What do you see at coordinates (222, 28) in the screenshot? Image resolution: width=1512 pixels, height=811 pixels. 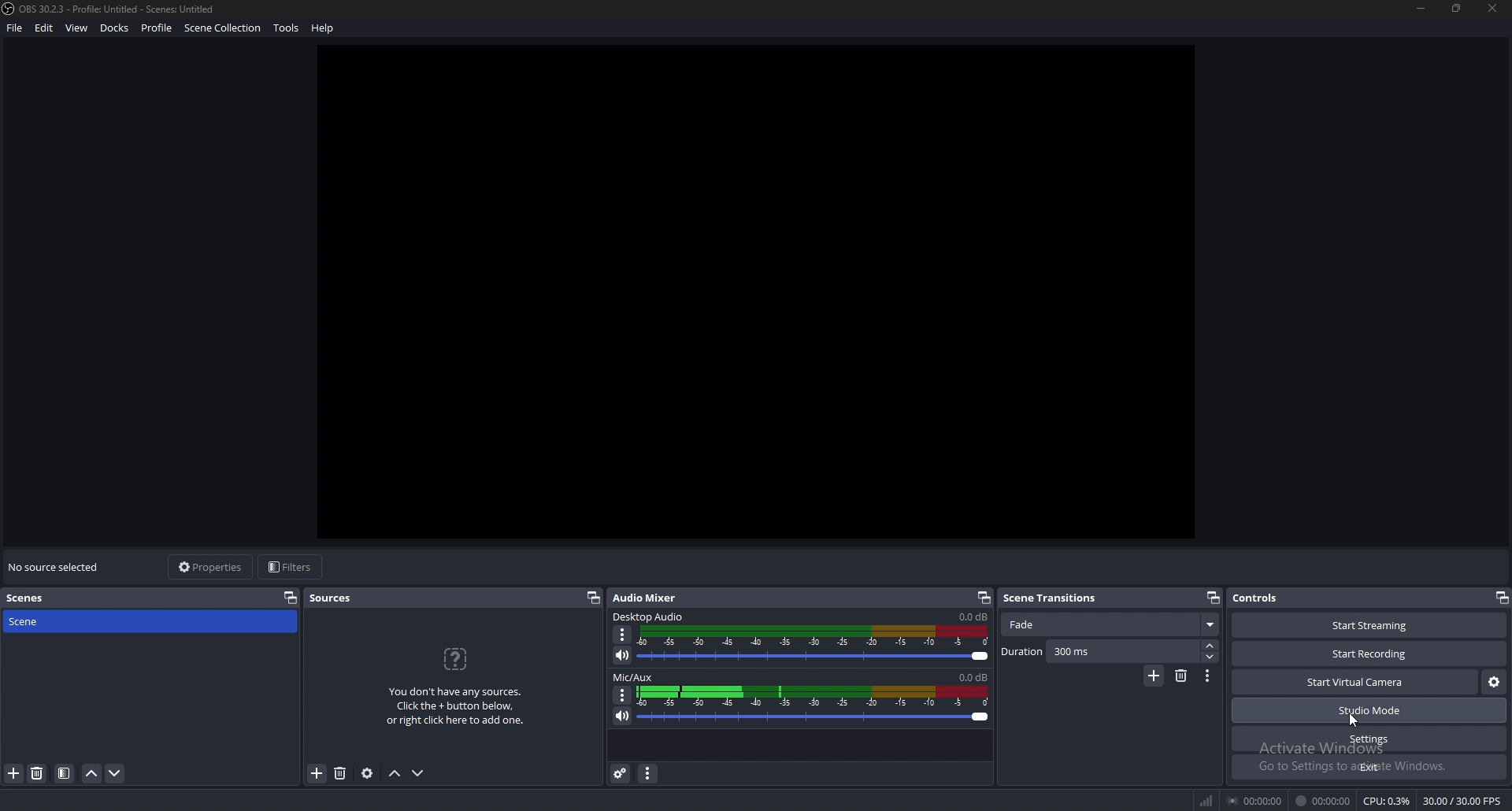 I see `scene collection` at bounding box center [222, 28].